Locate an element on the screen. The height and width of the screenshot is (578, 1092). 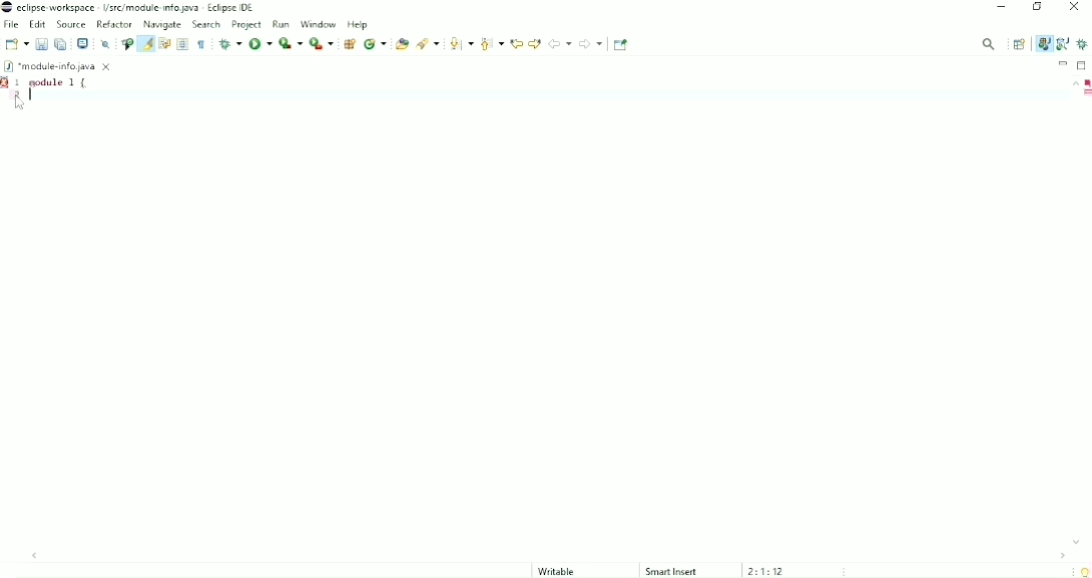
Toggle mark occurrences is located at coordinates (145, 43).